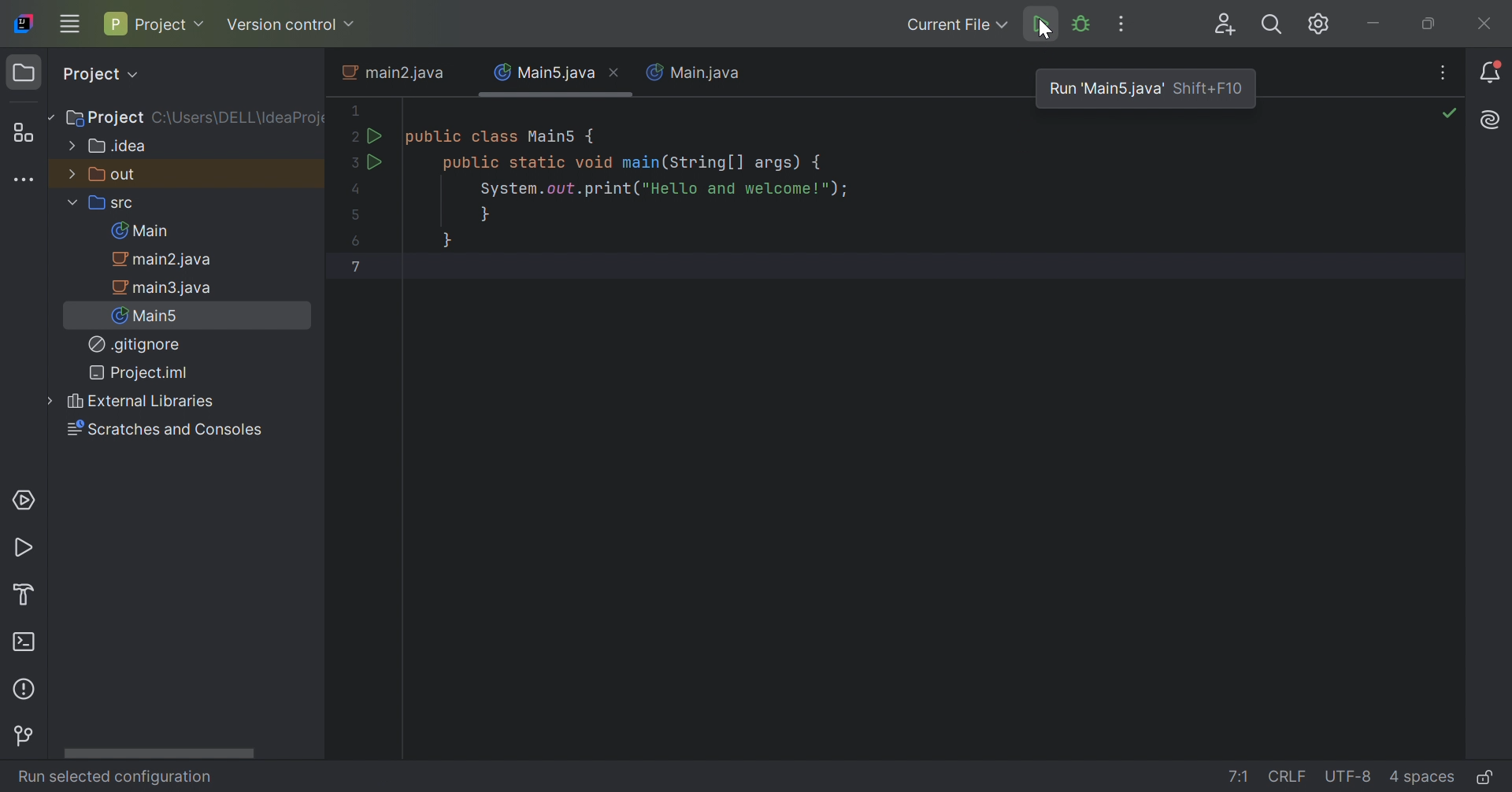 This screenshot has height=792, width=1512. I want to click on main3.java, so click(165, 289).